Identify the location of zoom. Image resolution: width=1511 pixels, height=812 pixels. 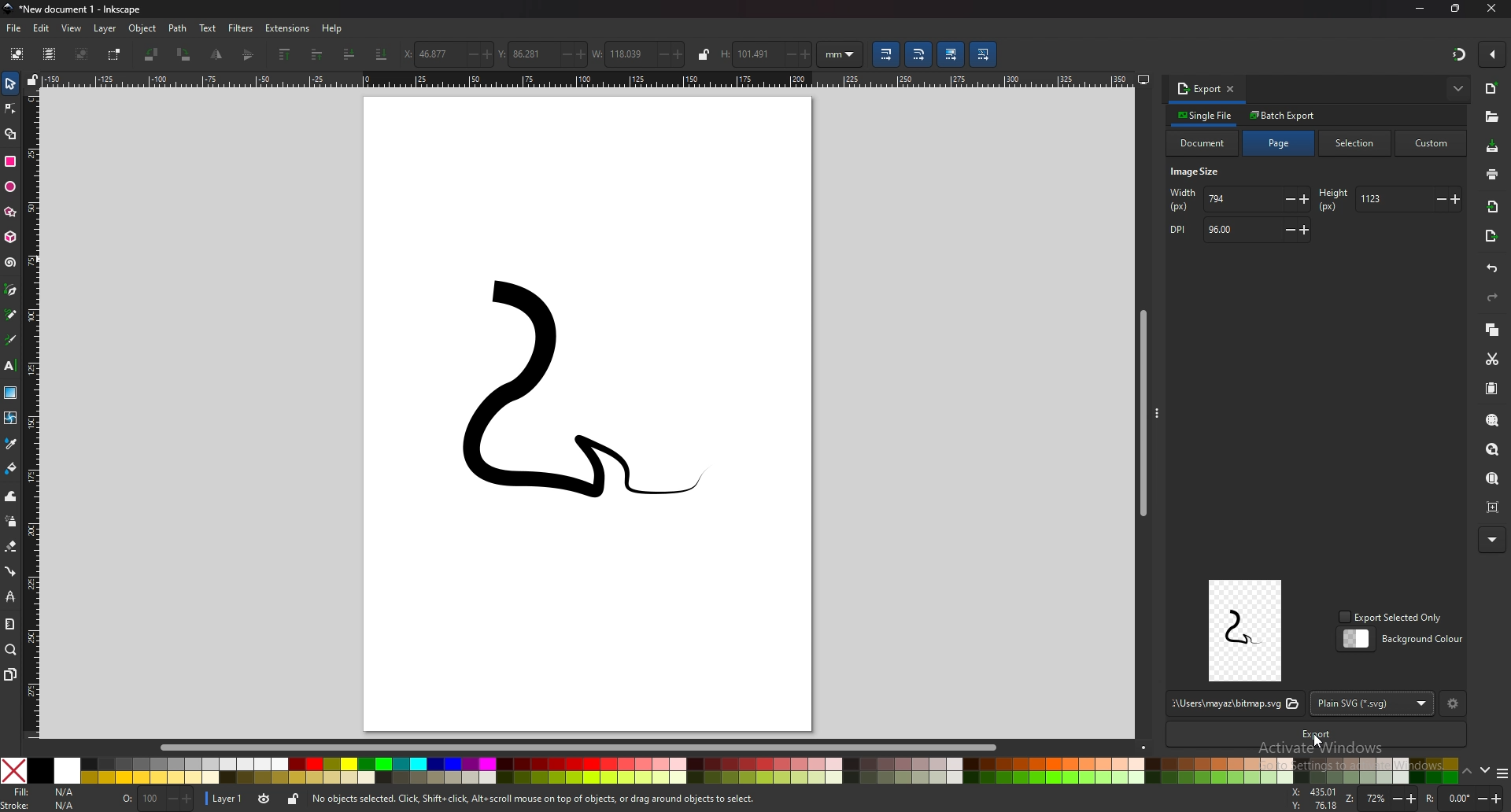
(11, 651).